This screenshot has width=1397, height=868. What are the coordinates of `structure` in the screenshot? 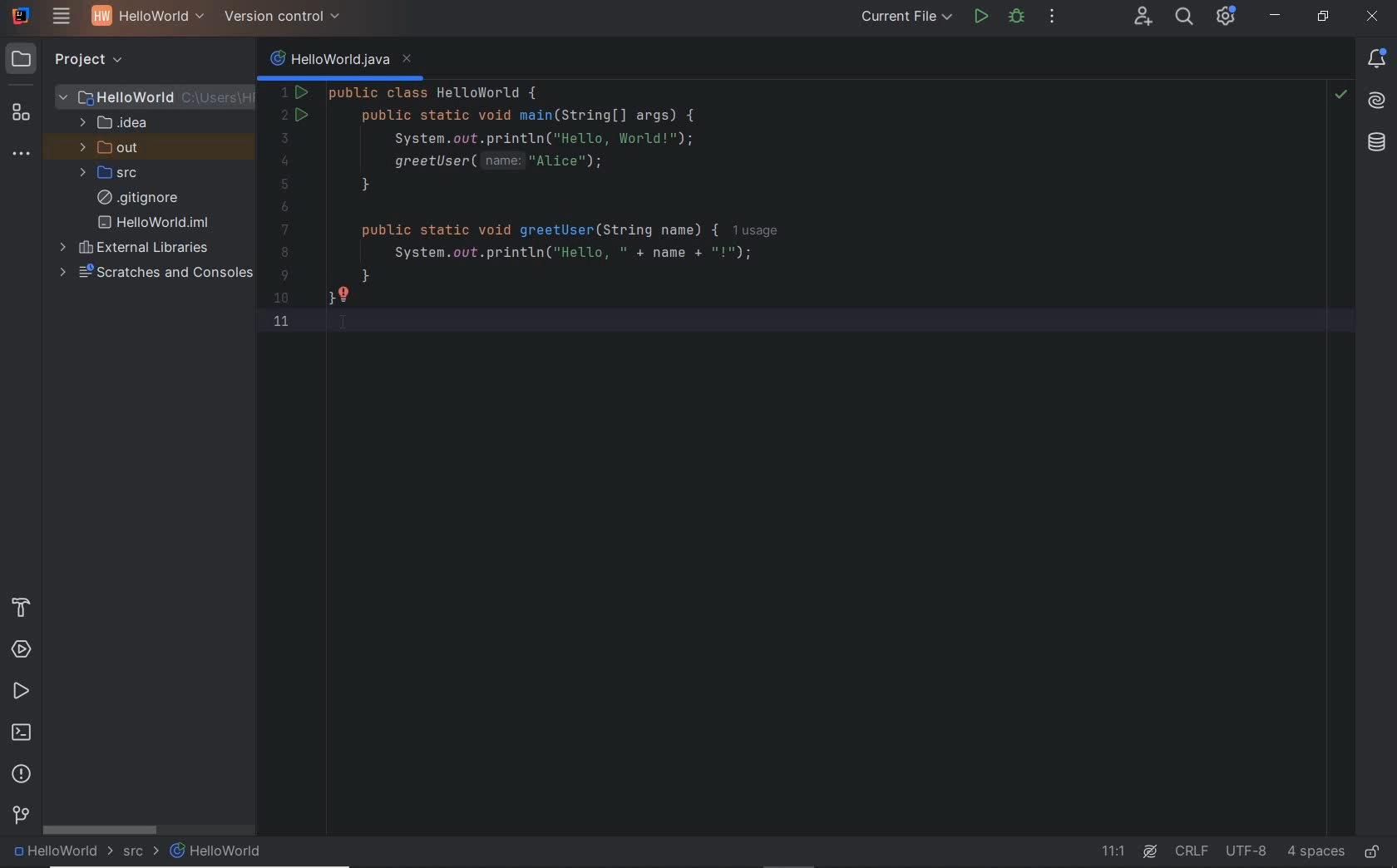 It's located at (20, 116).